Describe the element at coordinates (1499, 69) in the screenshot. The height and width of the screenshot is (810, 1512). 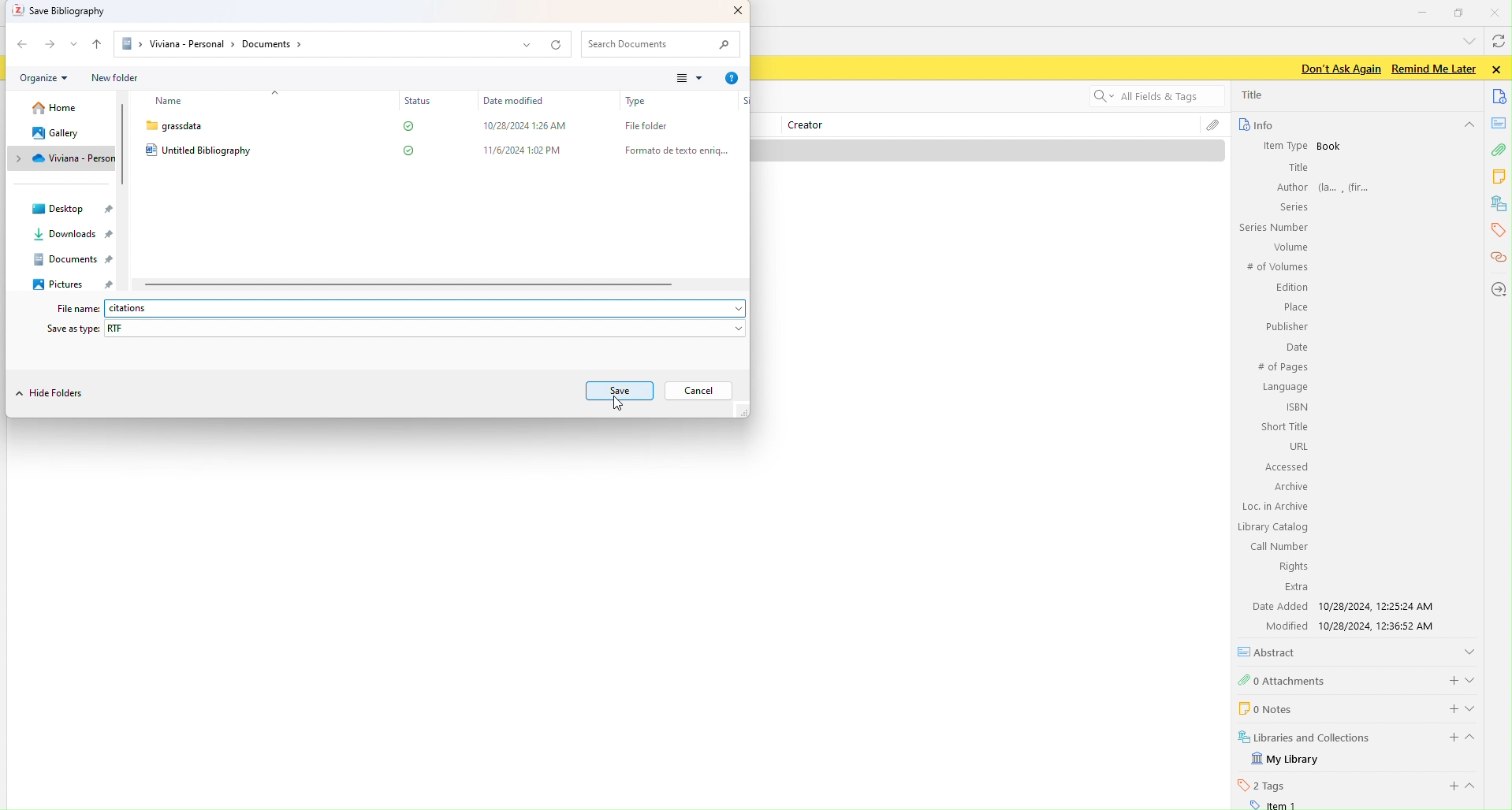
I see `close` at that location.